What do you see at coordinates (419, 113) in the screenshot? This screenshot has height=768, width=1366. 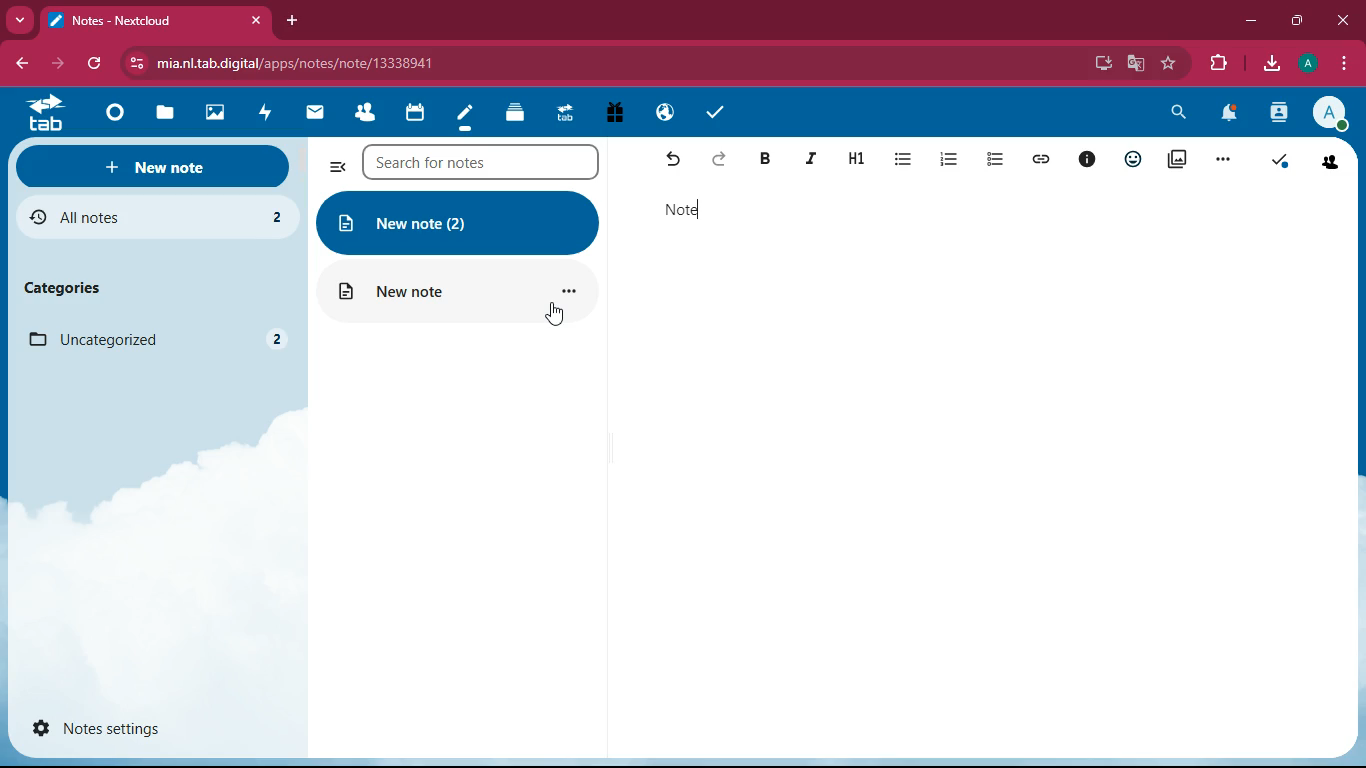 I see `calendar` at bounding box center [419, 113].